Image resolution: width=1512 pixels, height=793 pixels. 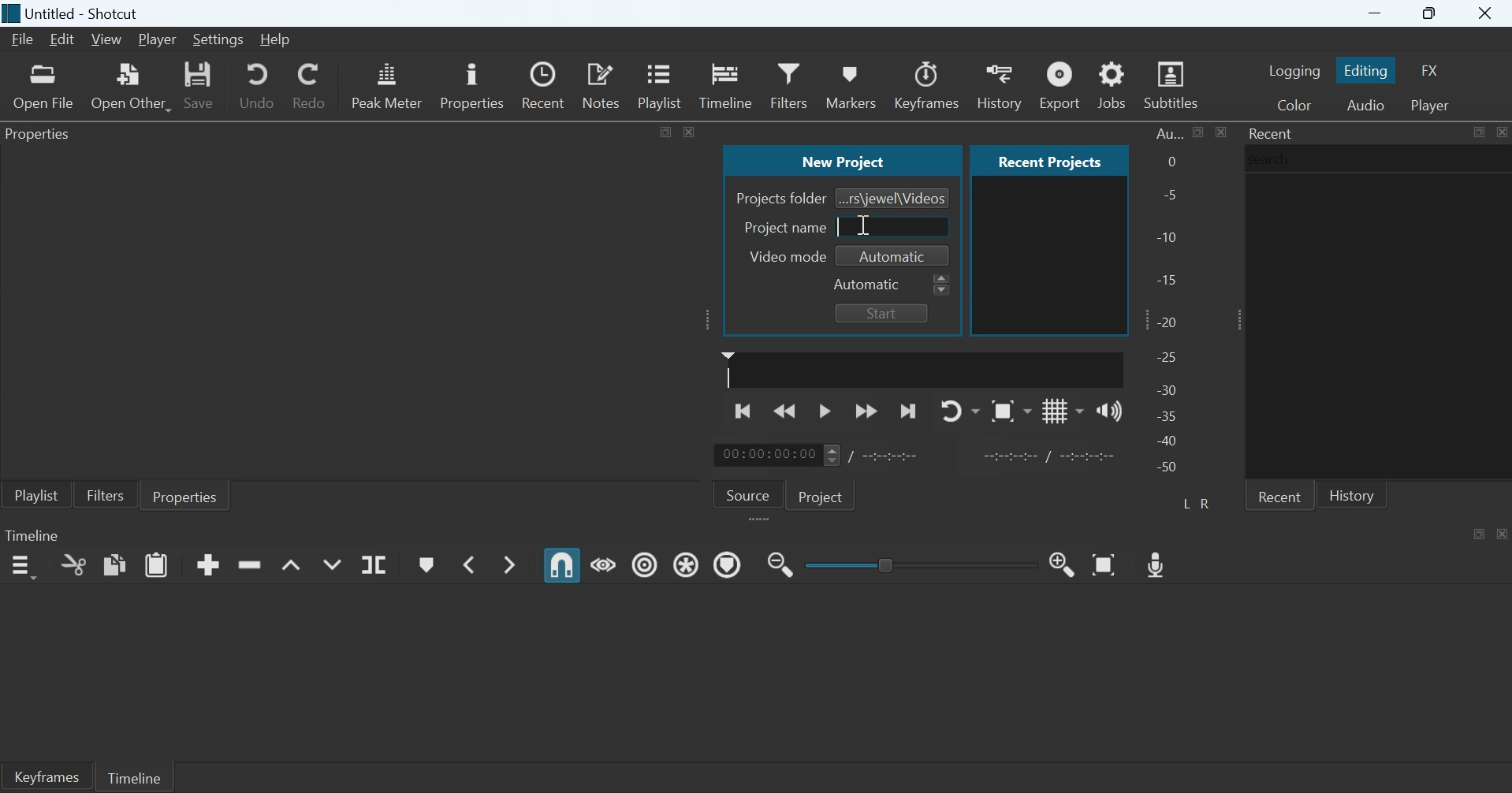 What do you see at coordinates (645, 564) in the screenshot?
I see `Ripple` at bounding box center [645, 564].